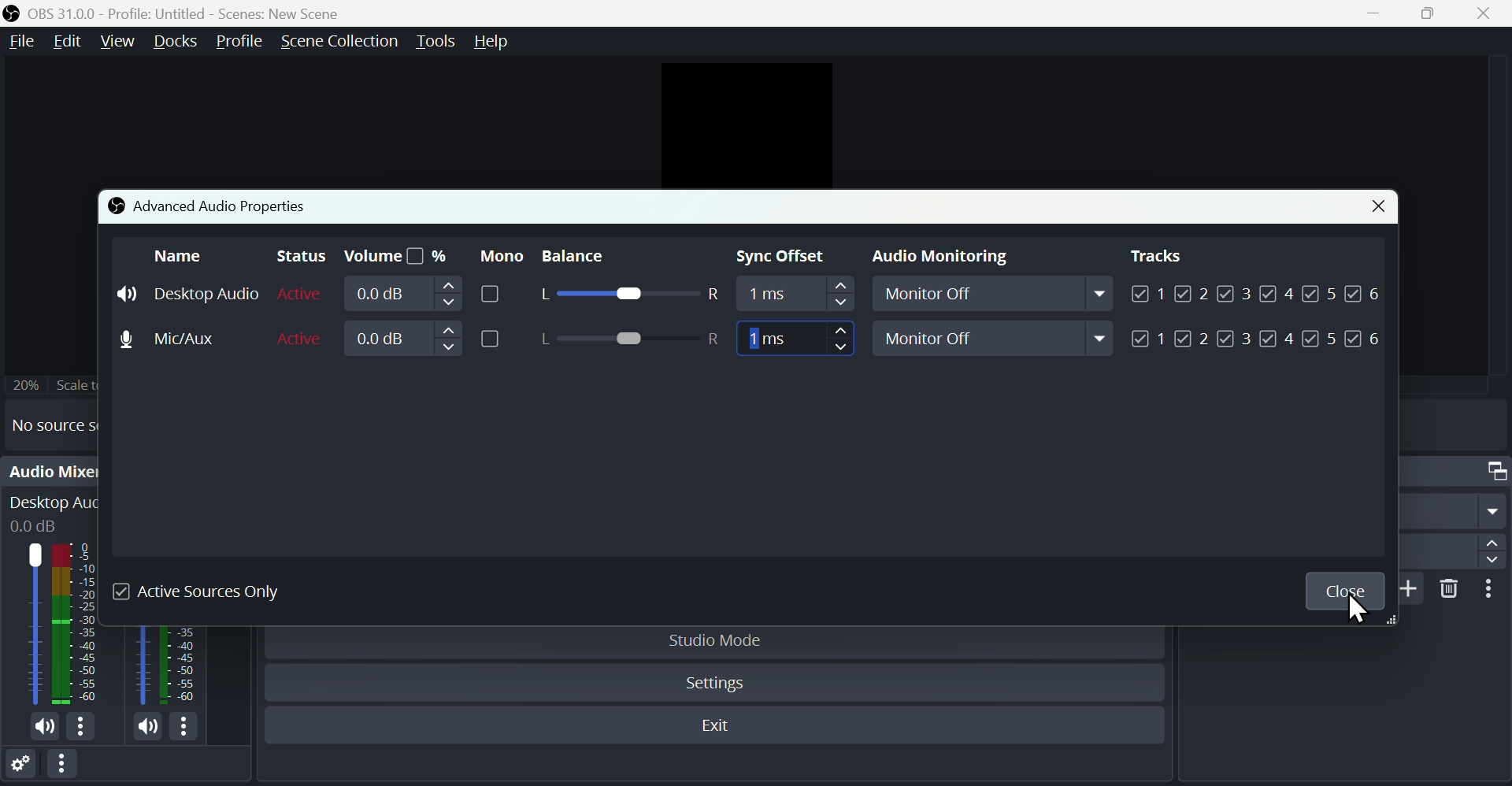  What do you see at coordinates (198, 13) in the screenshot?
I see `OBS 31.0 .0 profile: untitled Scene: New scene` at bounding box center [198, 13].